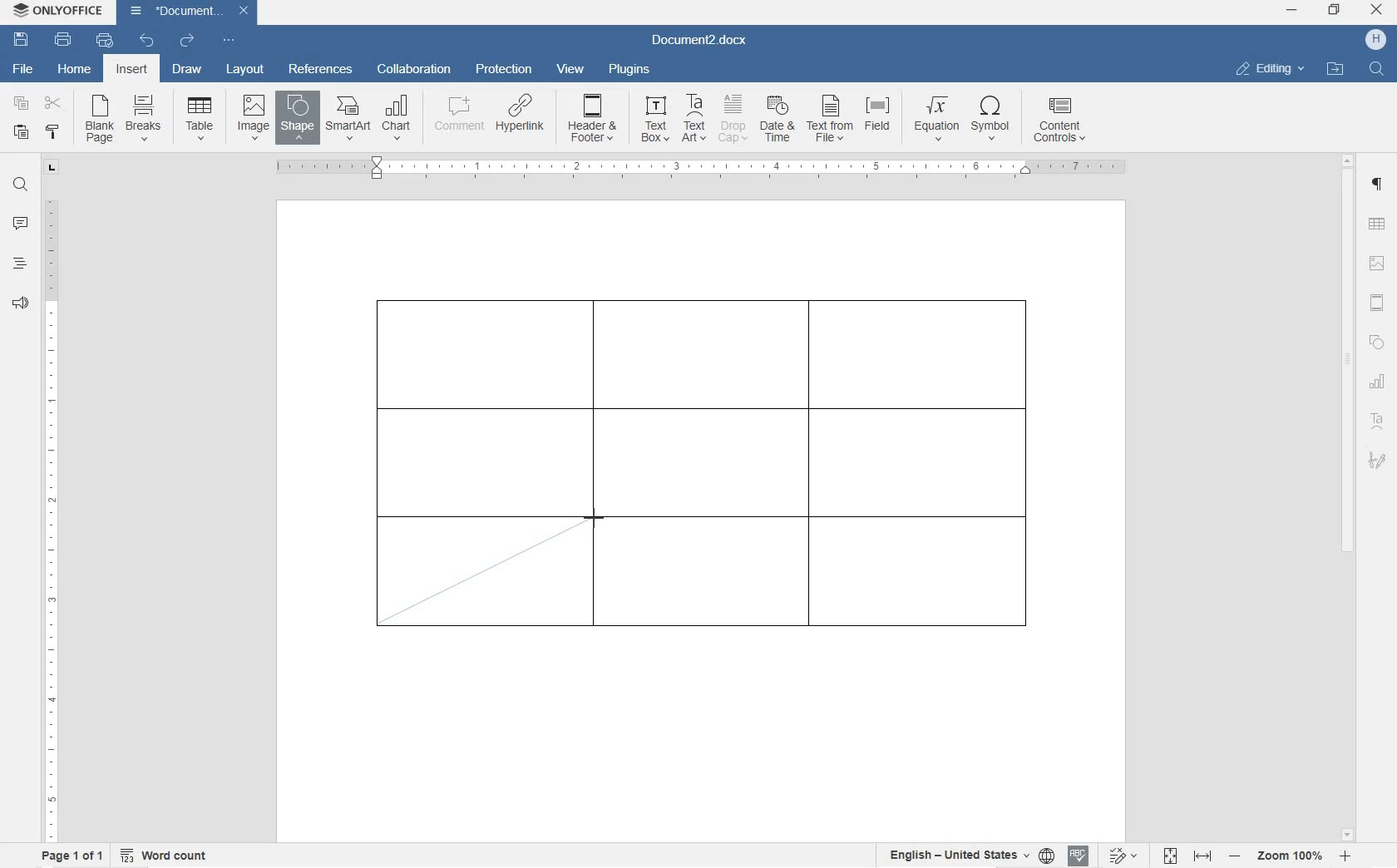 This screenshot has height=868, width=1397. What do you see at coordinates (1378, 303) in the screenshot?
I see `header & footer` at bounding box center [1378, 303].